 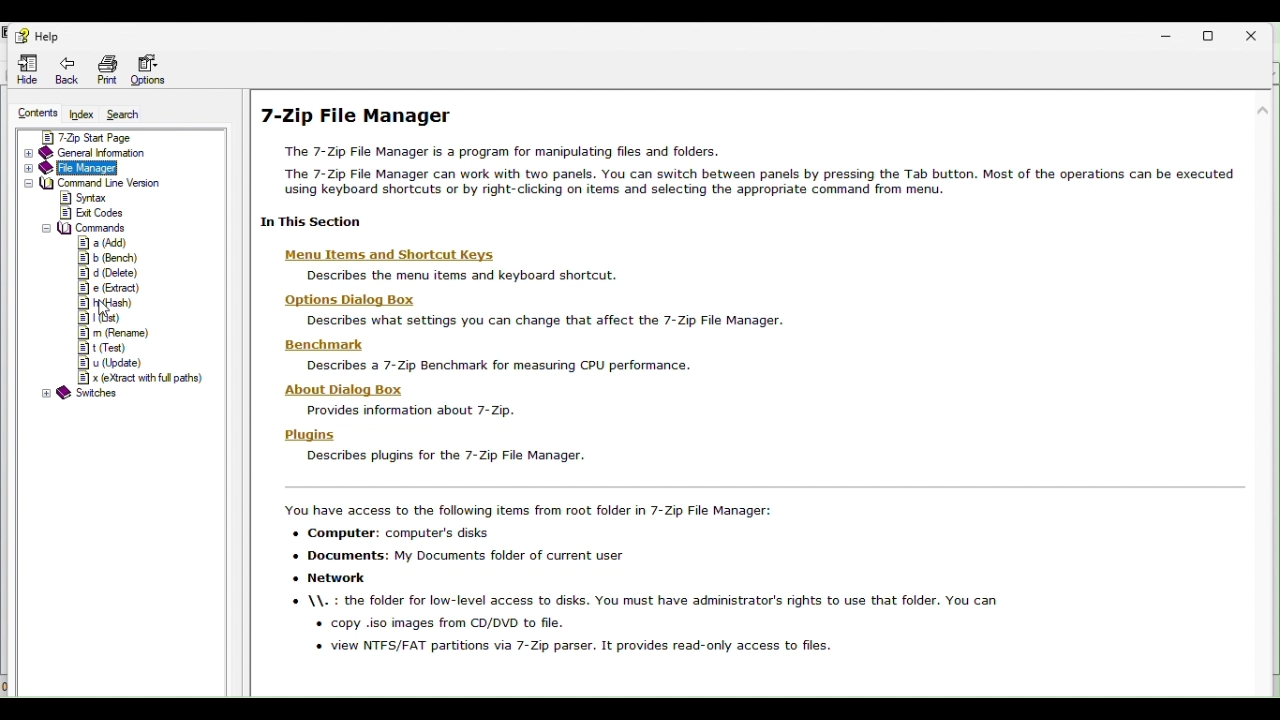 What do you see at coordinates (109, 364) in the screenshot?
I see `u(update)` at bounding box center [109, 364].